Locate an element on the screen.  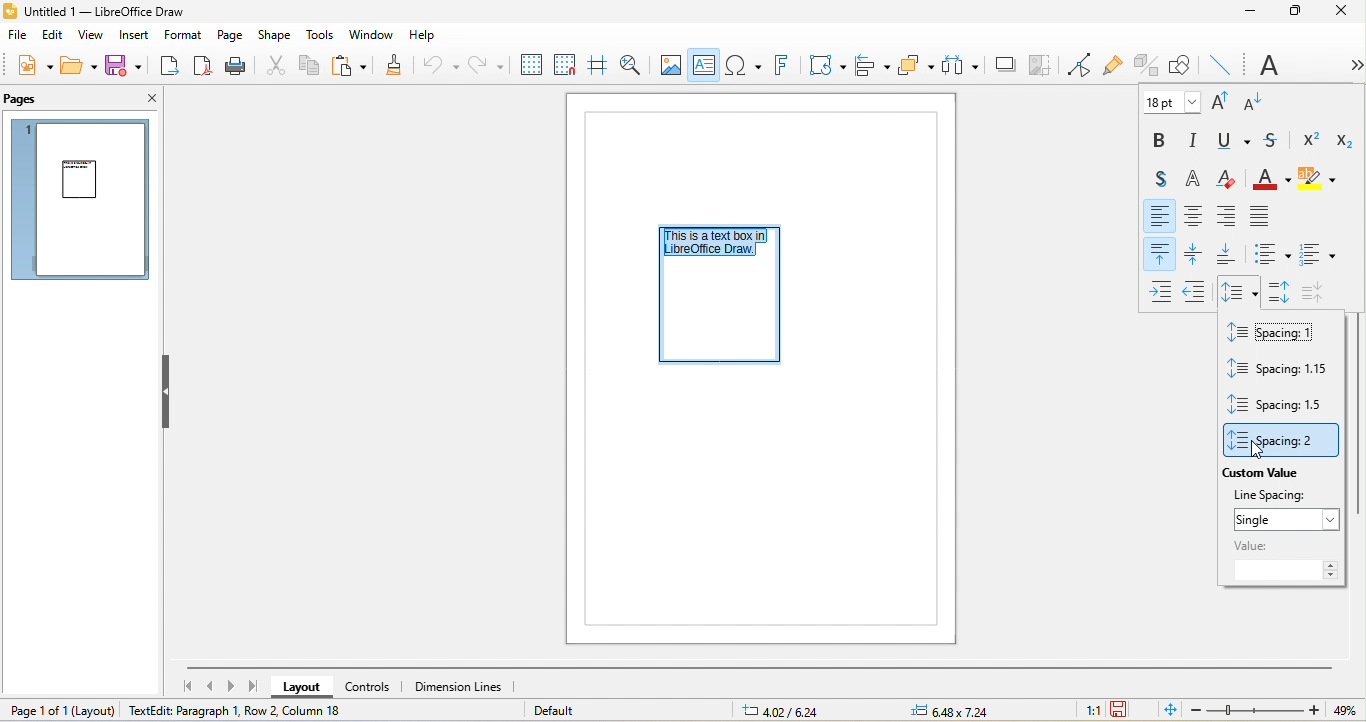
redo is located at coordinates (488, 66).